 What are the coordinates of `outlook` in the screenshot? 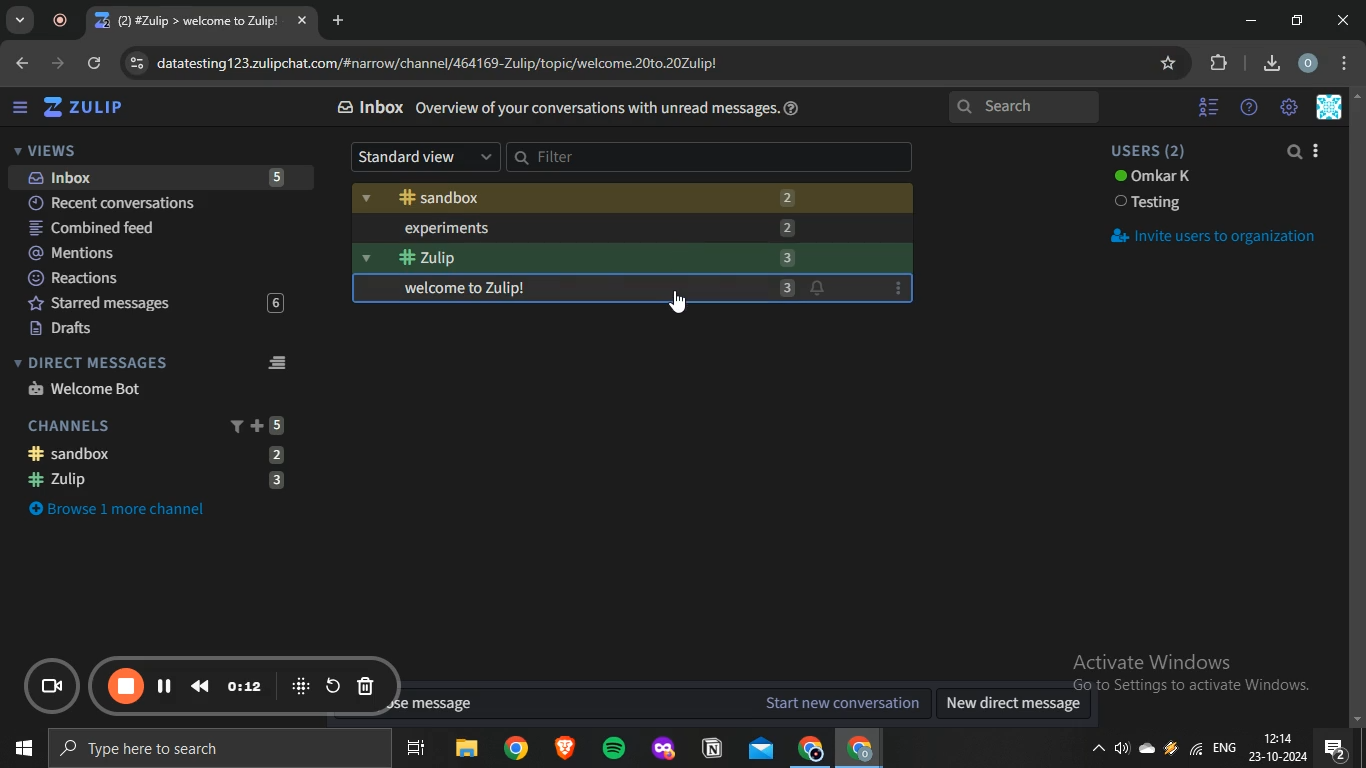 It's located at (762, 748).